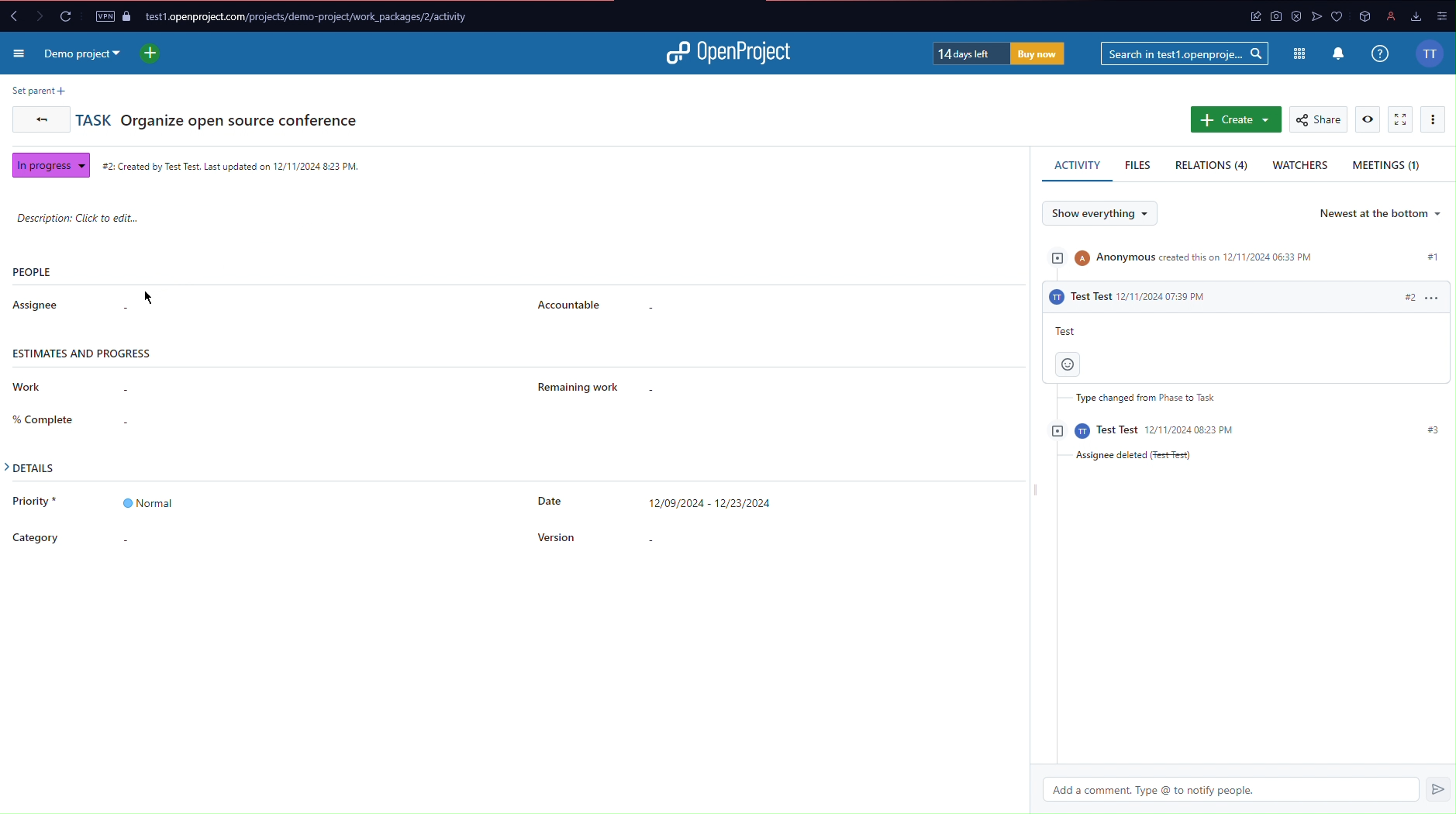 This screenshot has height=814, width=1456. What do you see at coordinates (1381, 215) in the screenshot?
I see `Newest at the bottom` at bounding box center [1381, 215].